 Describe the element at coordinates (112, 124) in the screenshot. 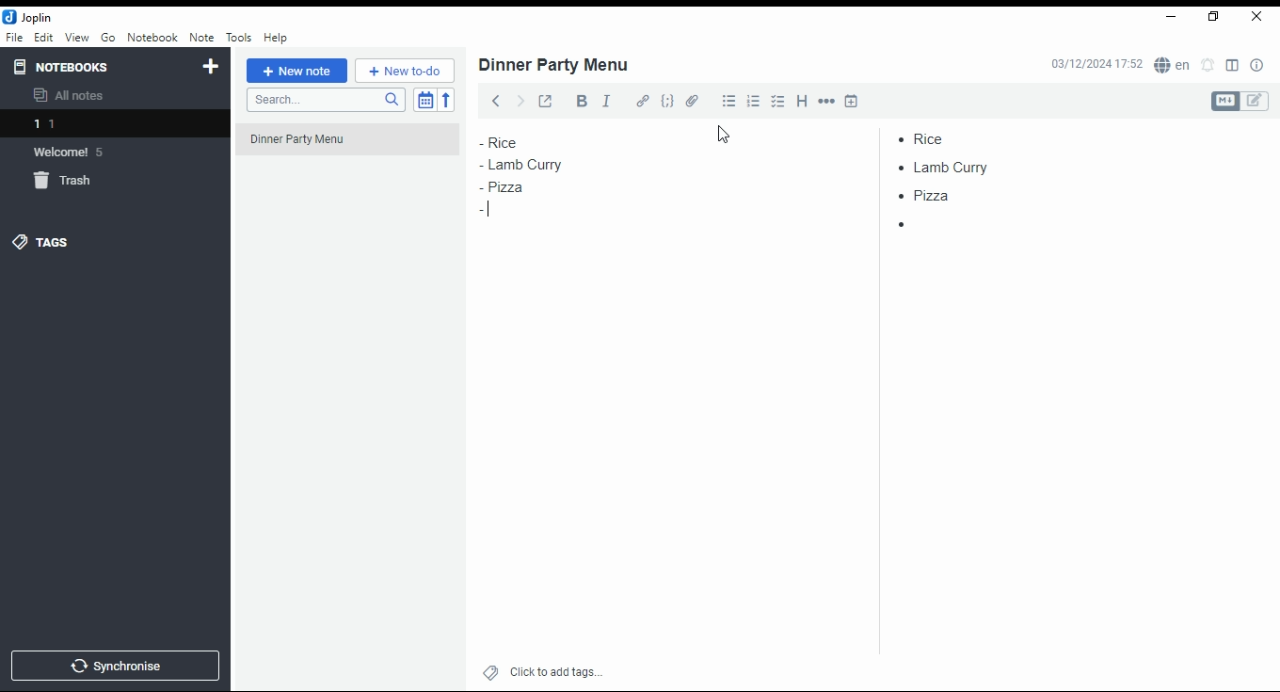

I see `1` at that location.